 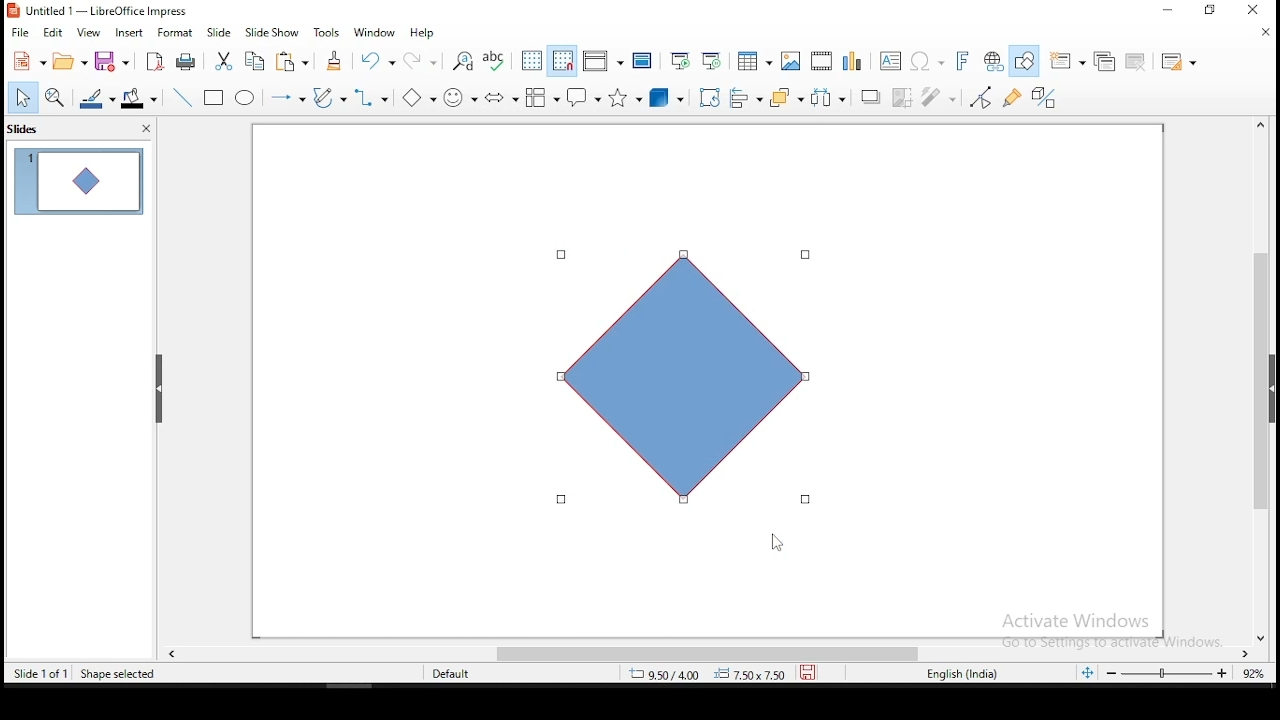 I want to click on toggle point edit mode, so click(x=983, y=97).